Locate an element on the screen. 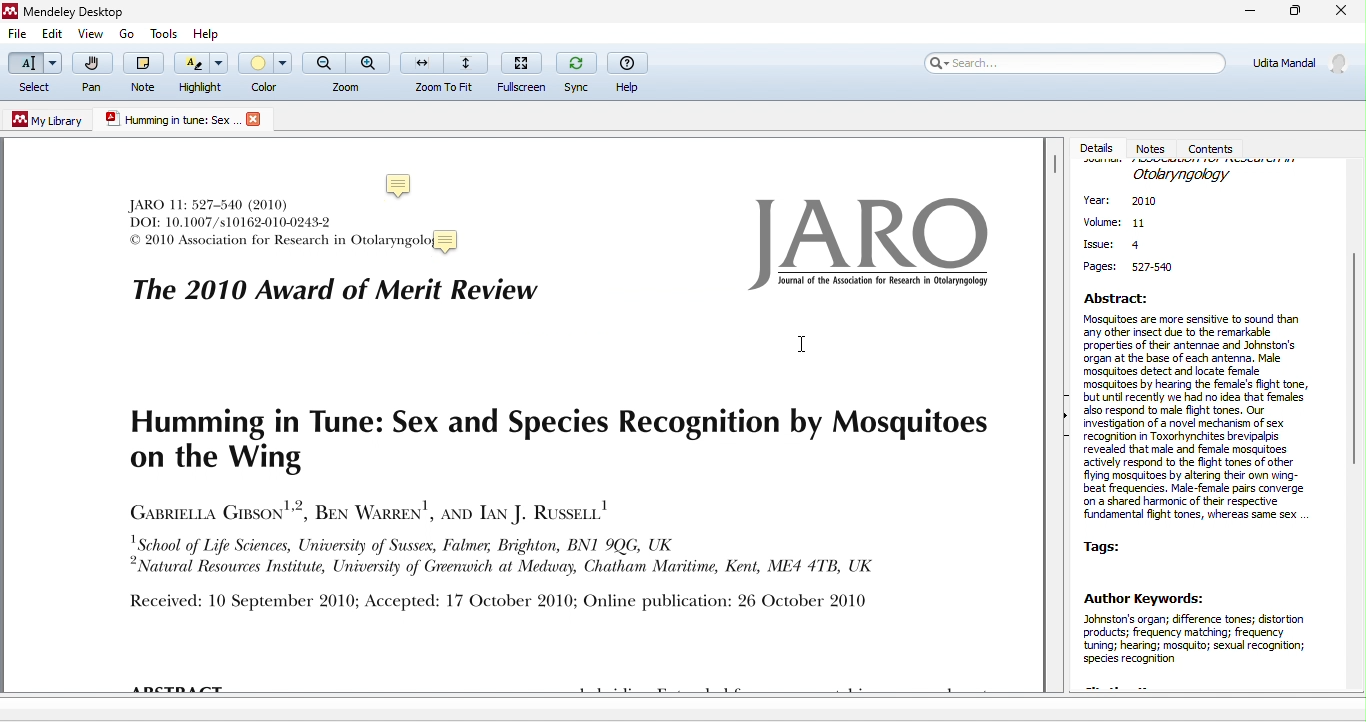 The width and height of the screenshot is (1366, 722). fullscreen is located at coordinates (520, 72).